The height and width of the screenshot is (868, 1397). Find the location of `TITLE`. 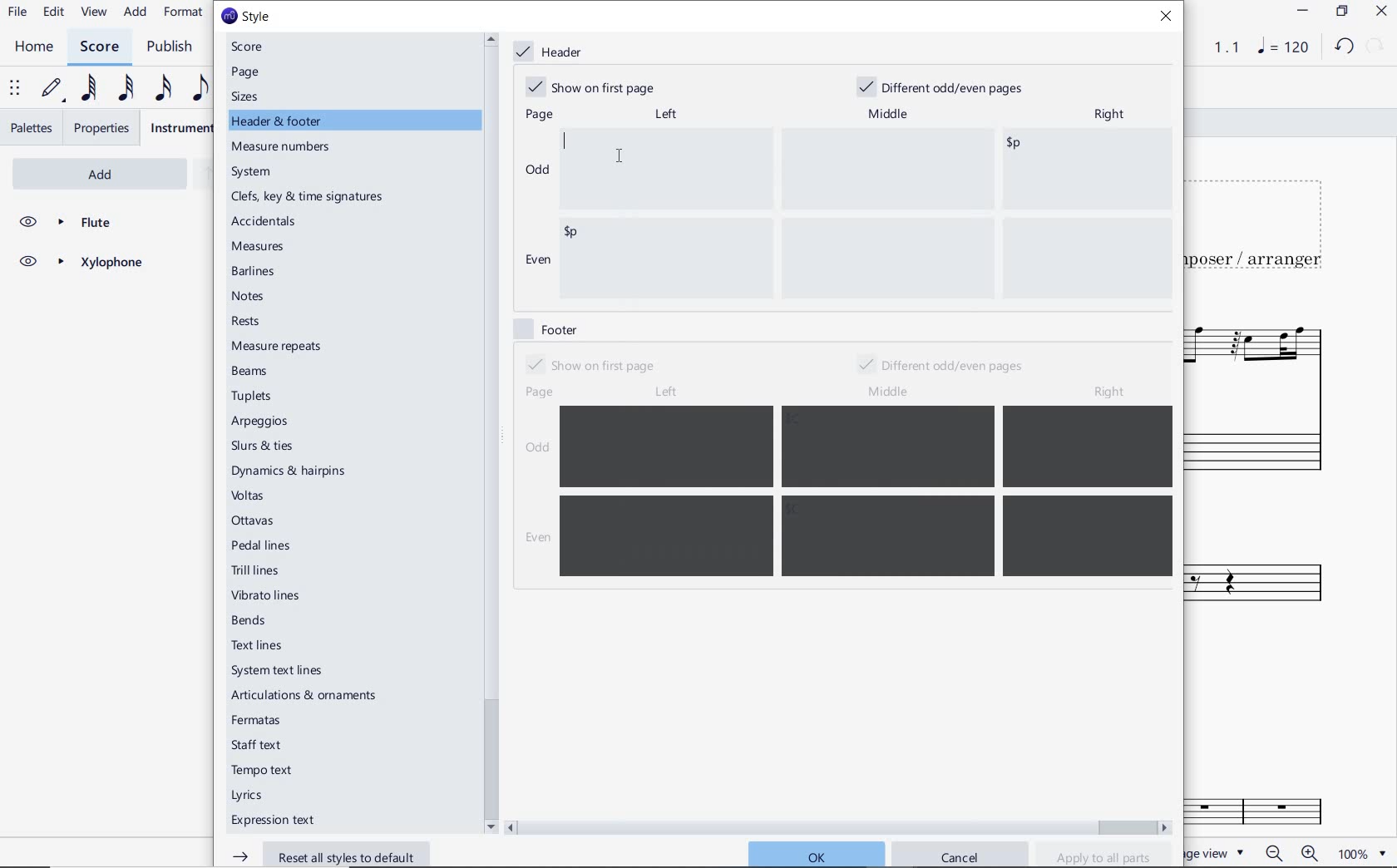

TITLE is located at coordinates (1260, 225).